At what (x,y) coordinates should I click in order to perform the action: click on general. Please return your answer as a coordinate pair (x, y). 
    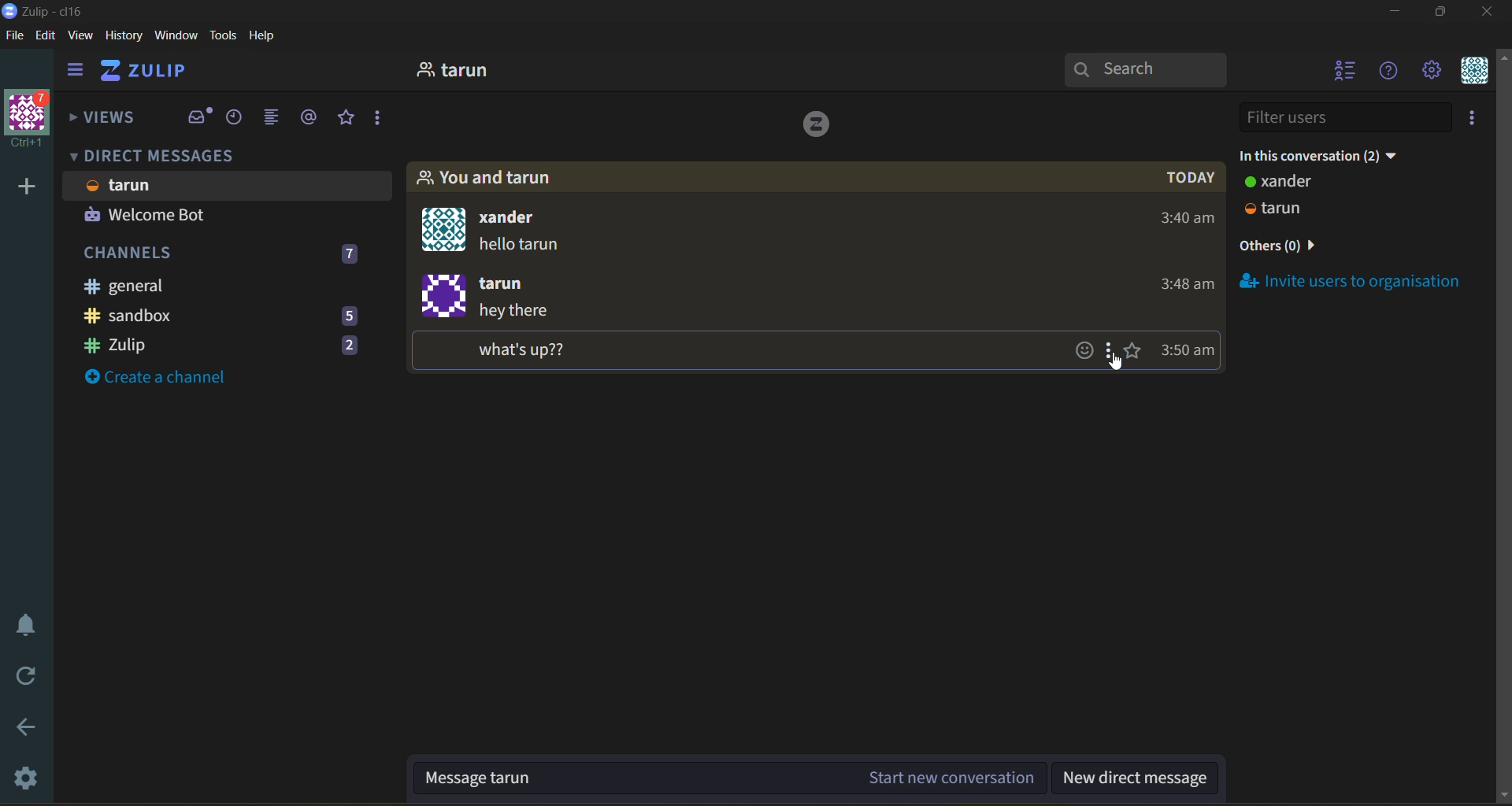
    Looking at the image, I should click on (206, 287).